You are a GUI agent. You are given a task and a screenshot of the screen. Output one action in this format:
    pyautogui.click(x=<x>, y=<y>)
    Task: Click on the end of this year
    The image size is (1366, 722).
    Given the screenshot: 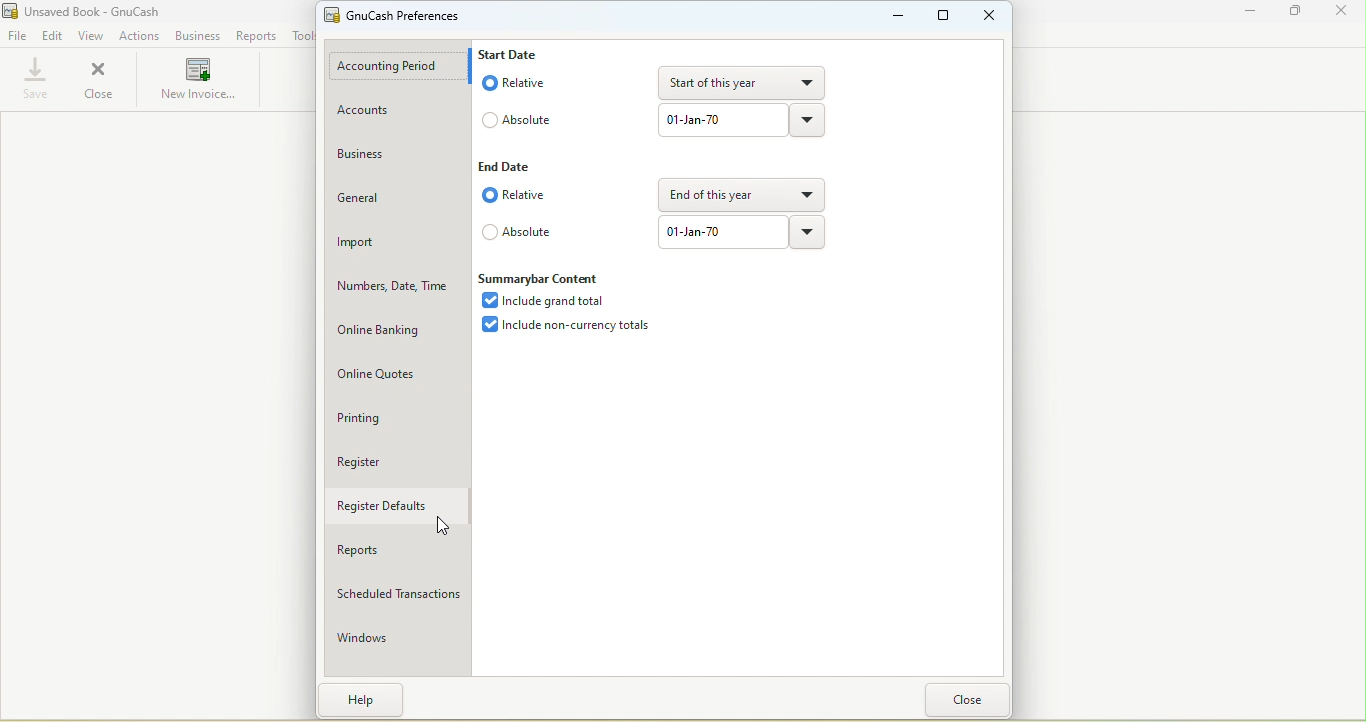 What is the action you would take?
    pyautogui.click(x=741, y=196)
    